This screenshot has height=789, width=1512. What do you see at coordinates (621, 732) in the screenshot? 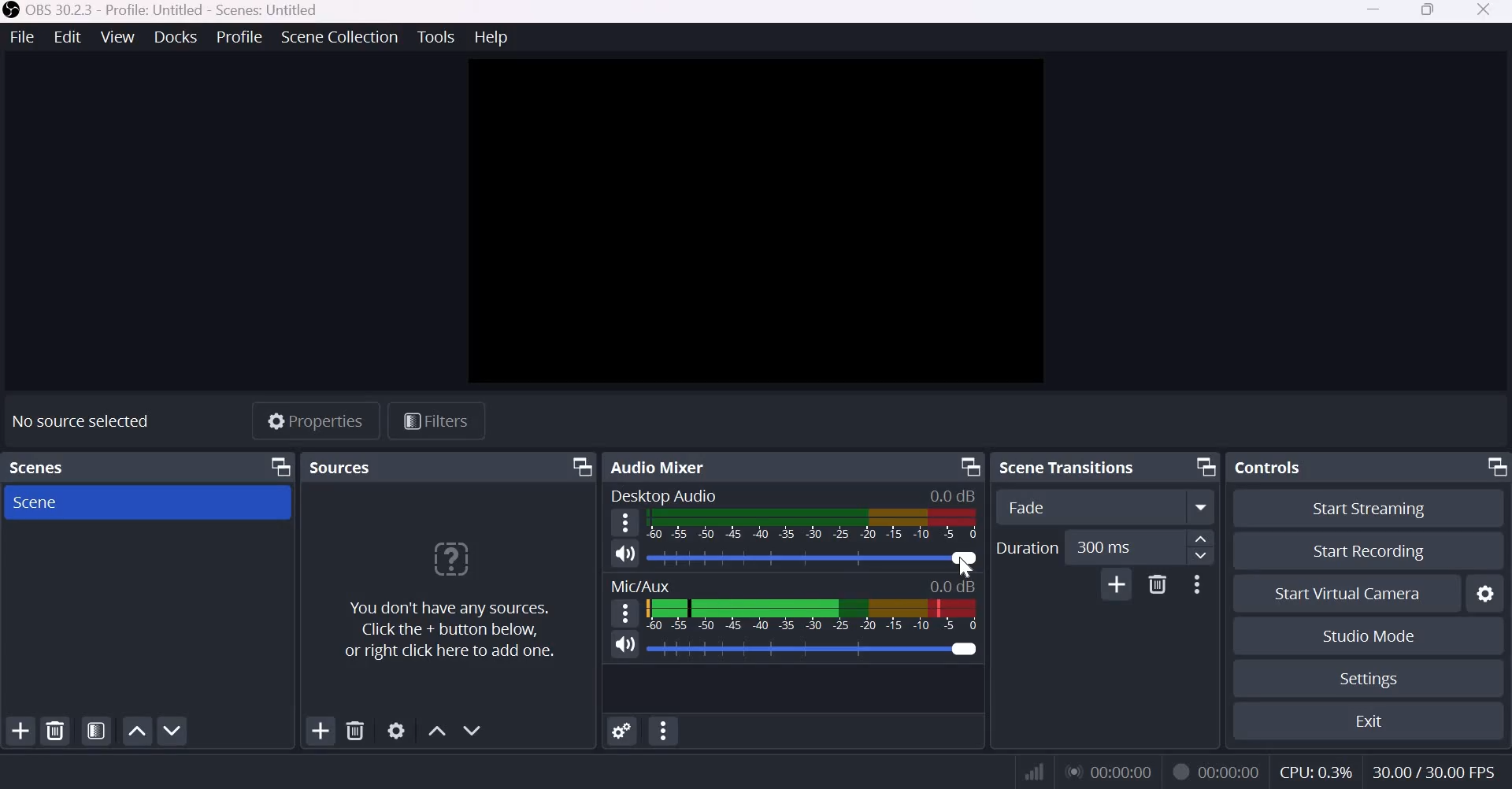
I see `Advanced Audio Properties` at bounding box center [621, 732].